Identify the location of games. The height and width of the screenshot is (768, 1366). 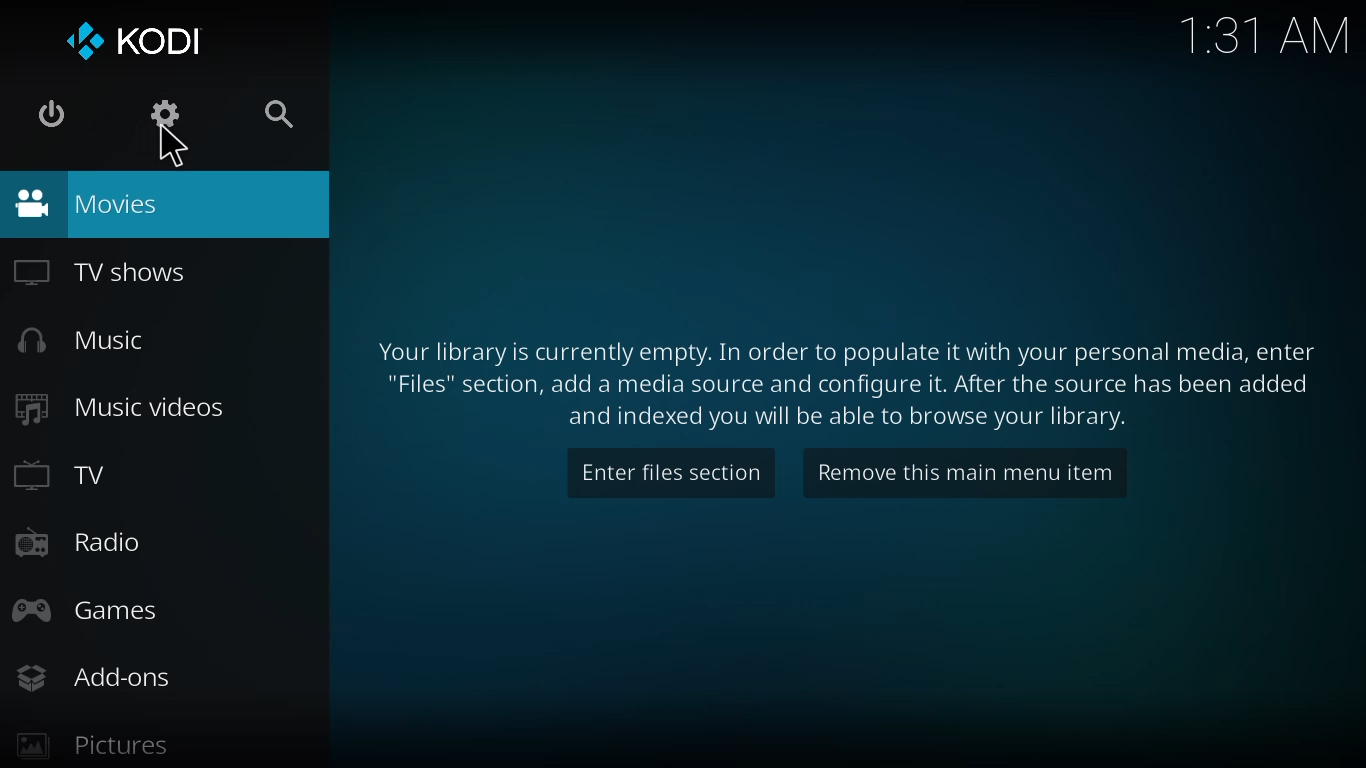
(94, 611).